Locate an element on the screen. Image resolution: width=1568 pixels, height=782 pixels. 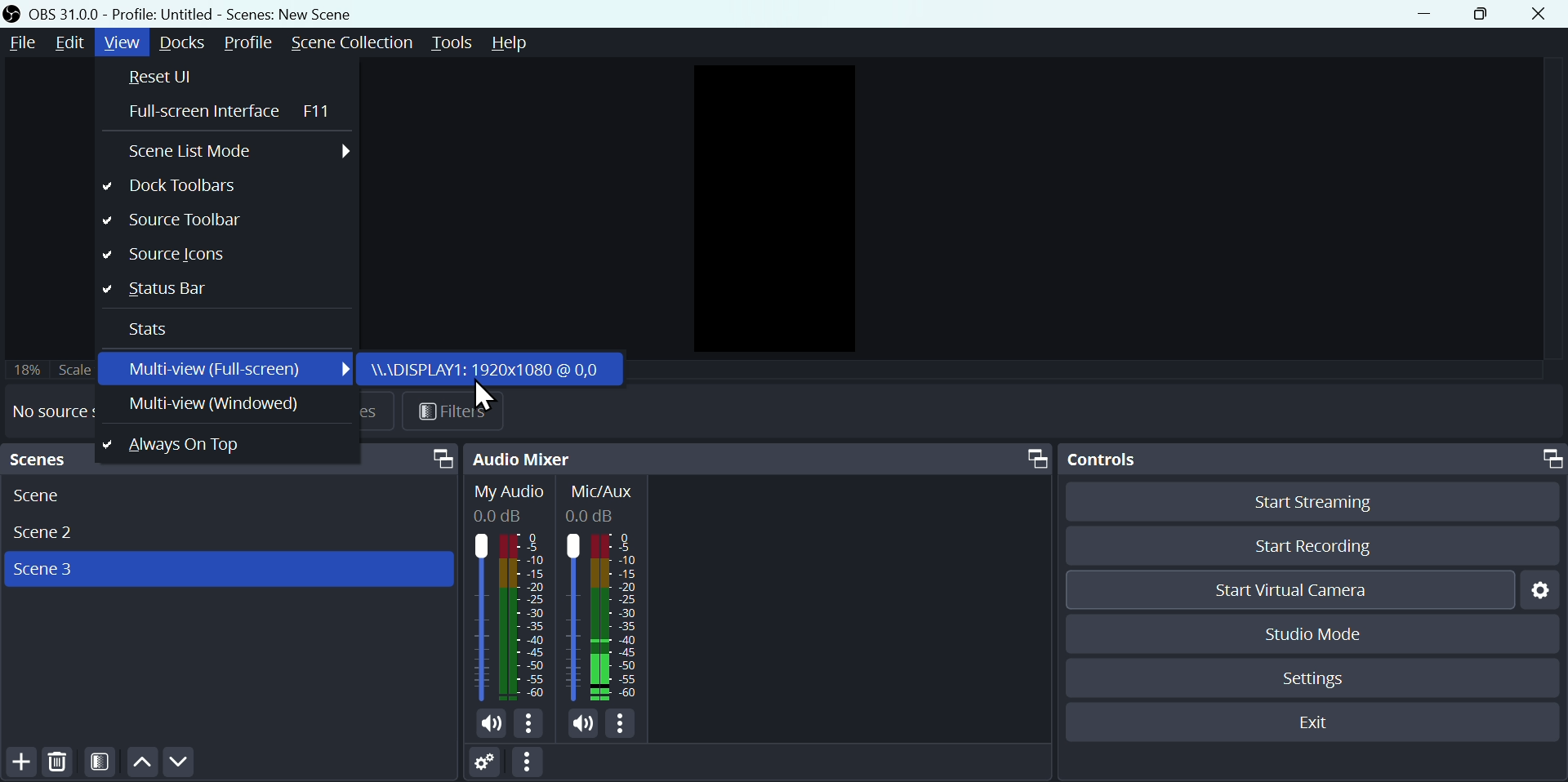
Move up is located at coordinates (141, 764).